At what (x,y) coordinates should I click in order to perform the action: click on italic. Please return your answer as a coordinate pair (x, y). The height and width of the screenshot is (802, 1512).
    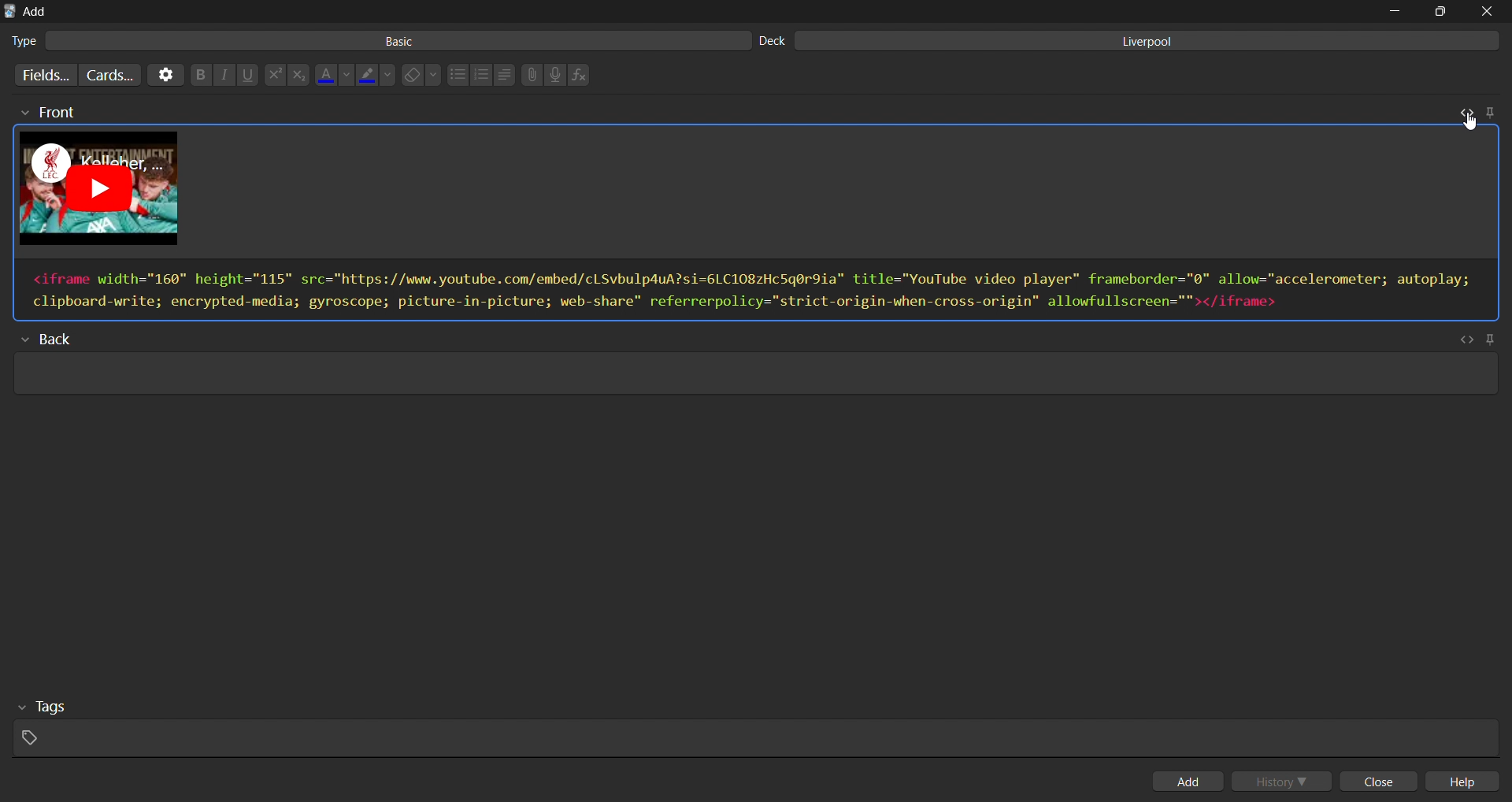
    Looking at the image, I should click on (223, 76).